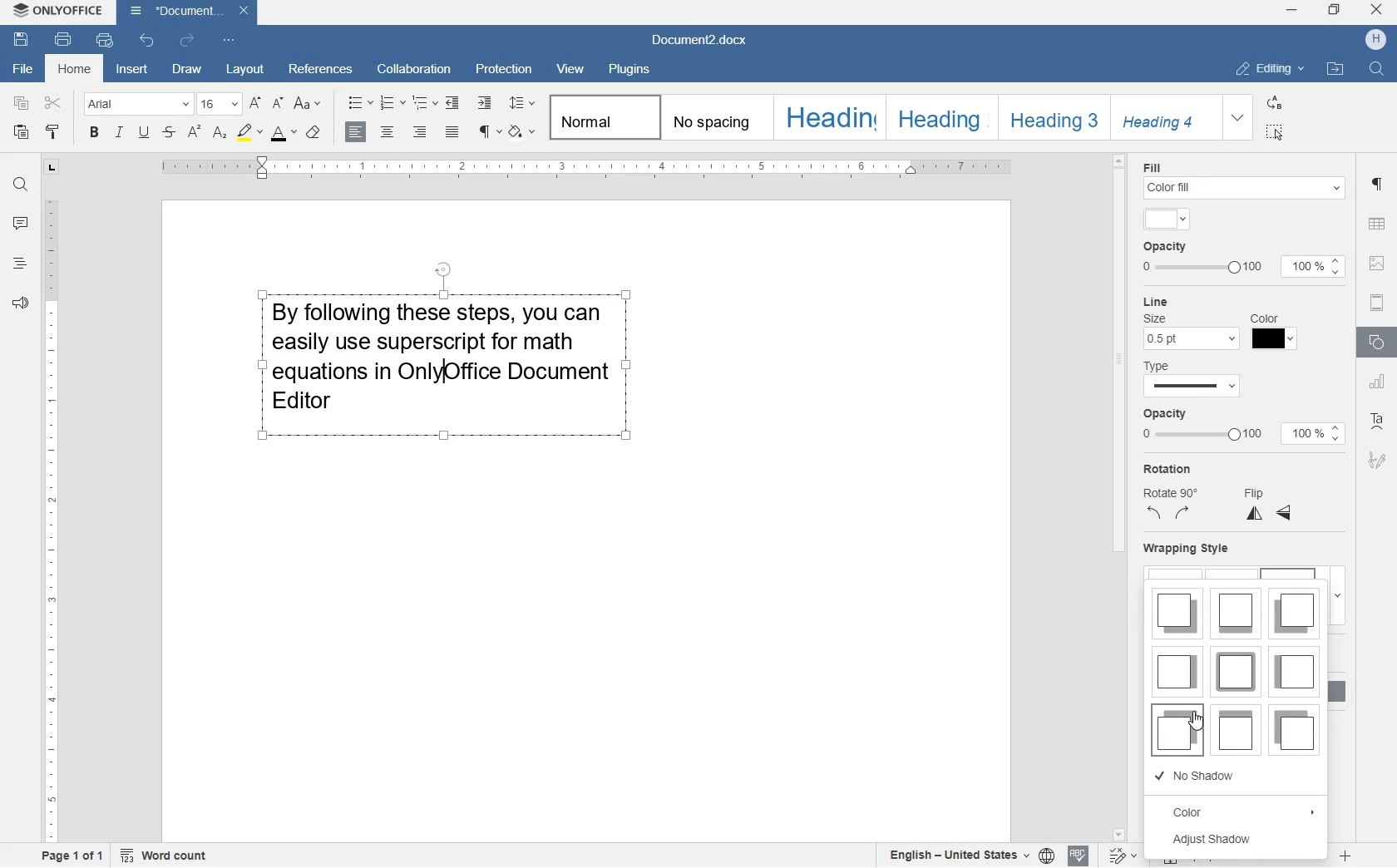 The height and width of the screenshot is (868, 1397). What do you see at coordinates (1168, 493) in the screenshot?
I see `rotation` at bounding box center [1168, 493].